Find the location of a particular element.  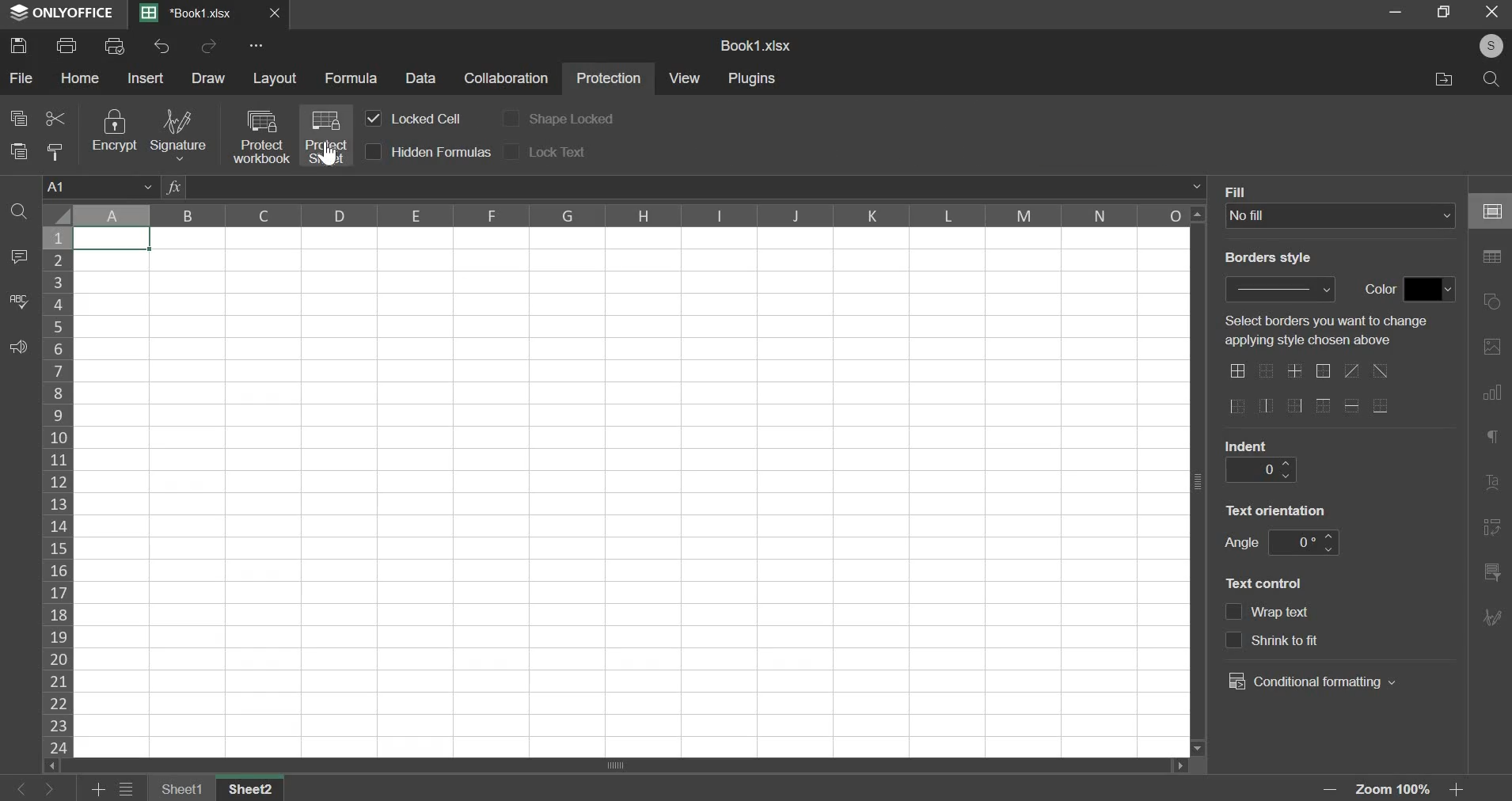

home is located at coordinates (81, 78).